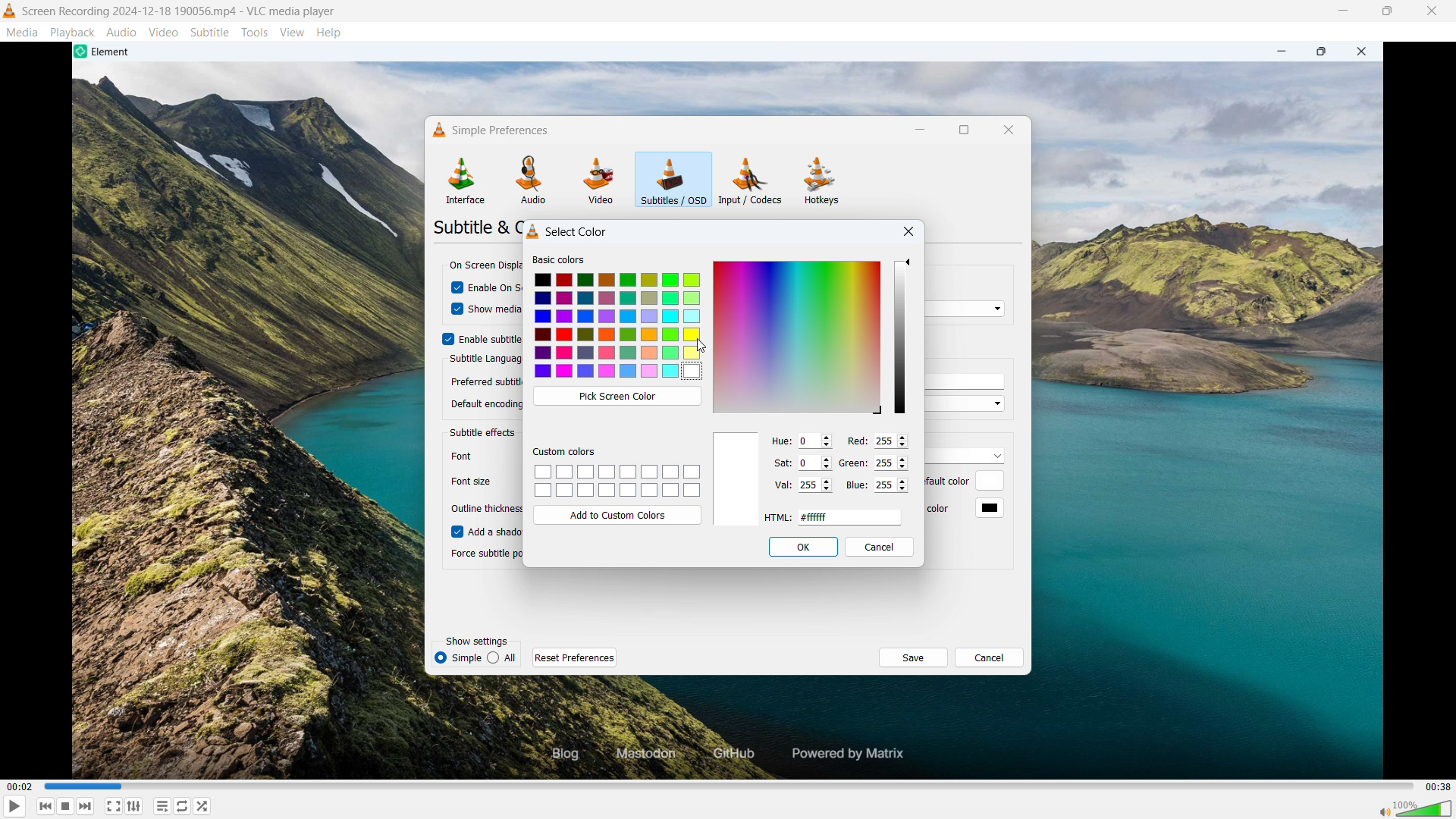  I want to click on Sat, so click(780, 461).